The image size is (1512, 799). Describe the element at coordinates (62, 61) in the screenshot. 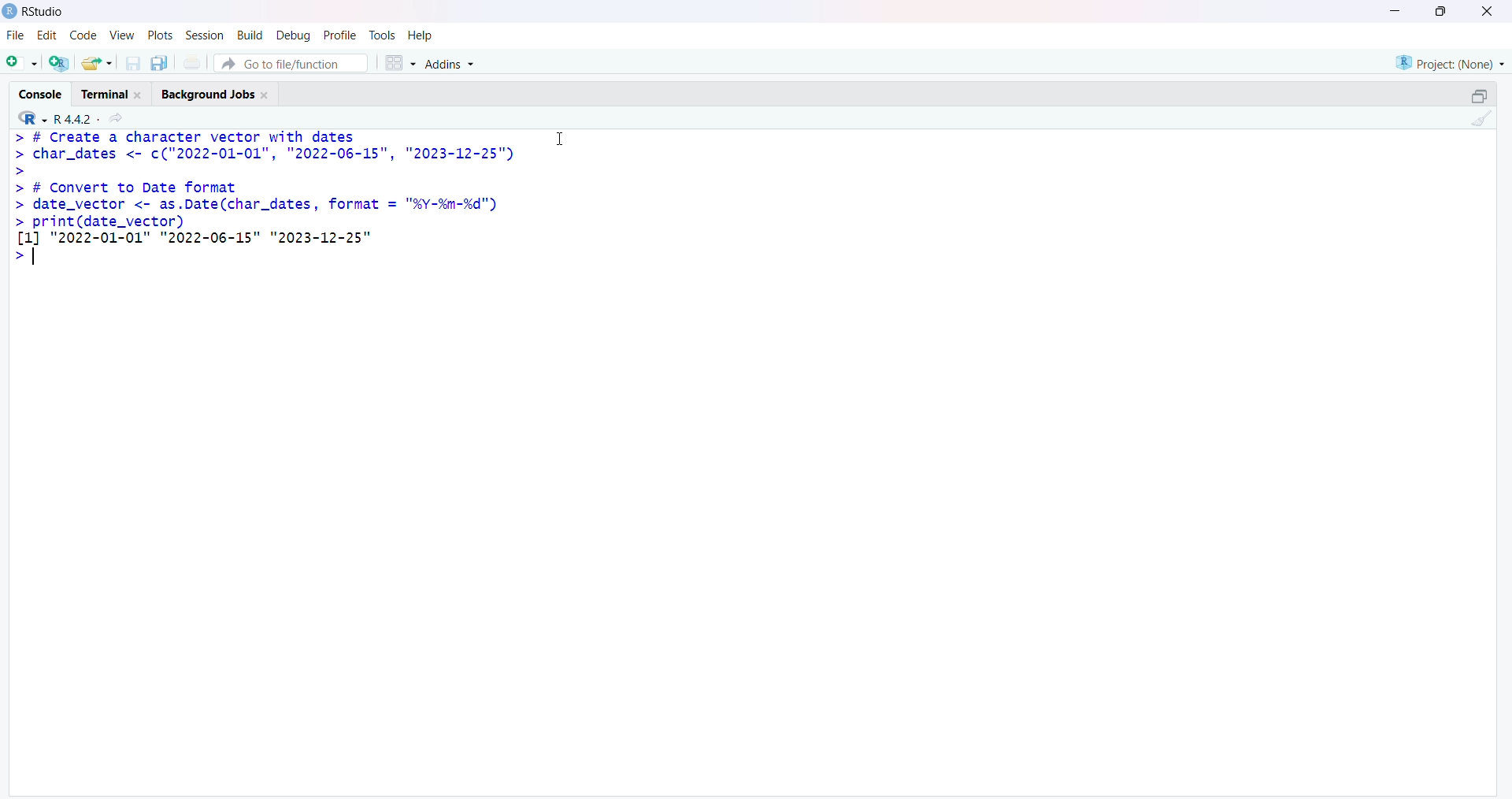

I see `Create a project` at that location.